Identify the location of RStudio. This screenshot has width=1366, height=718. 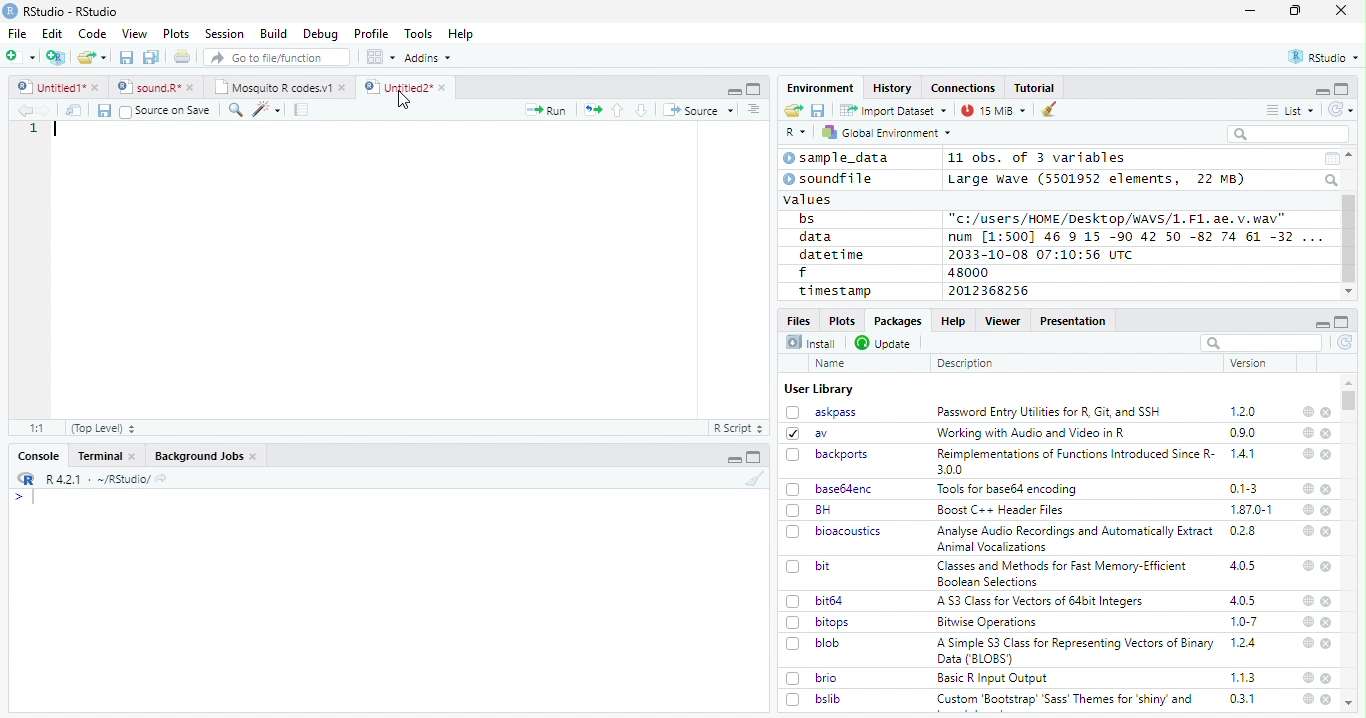
(1325, 58).